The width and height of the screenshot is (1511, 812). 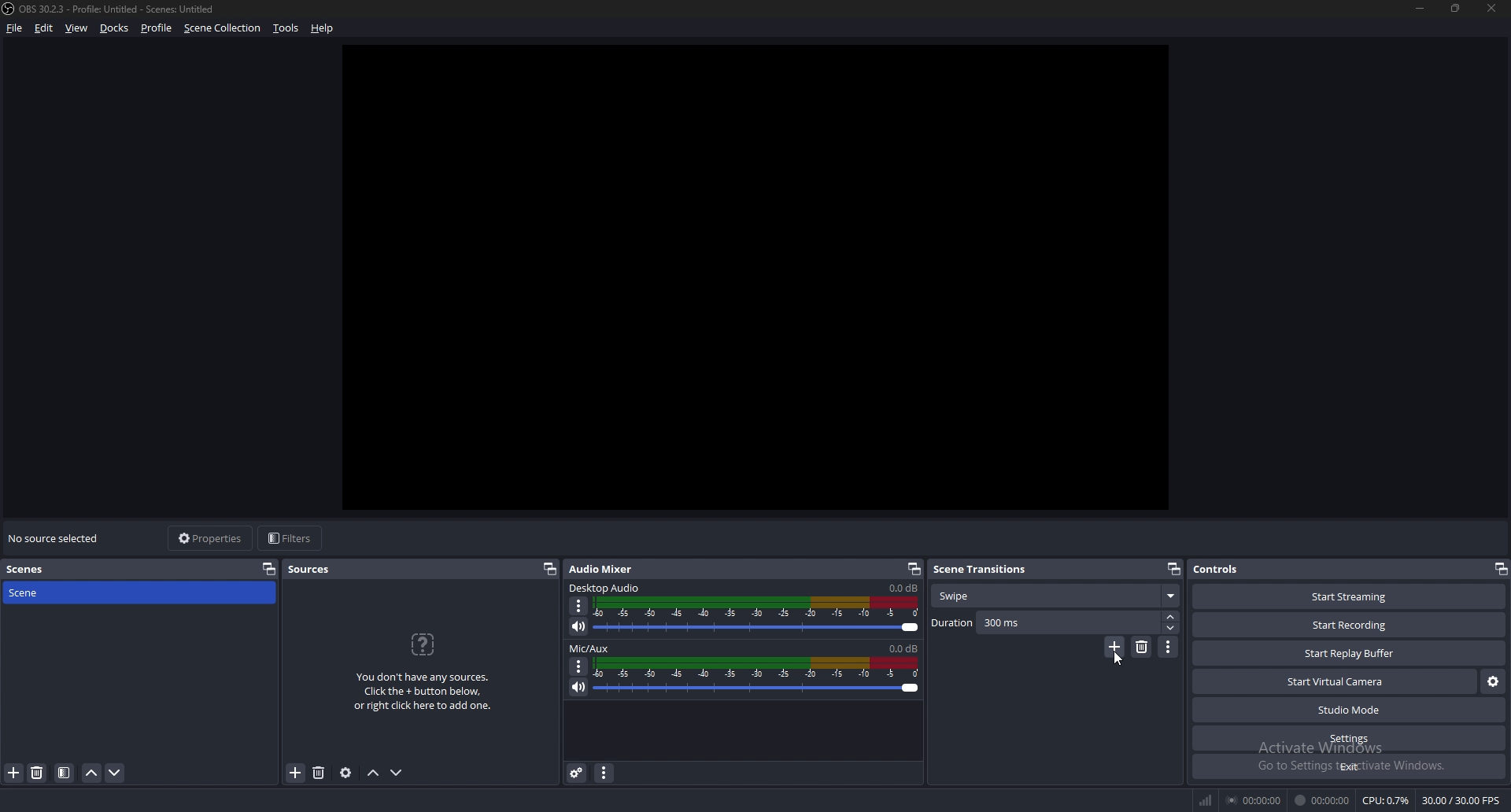 What do you see at coordinates (310, 570) in the screenshot?
I see `sources` at bounding box center [310, 570].